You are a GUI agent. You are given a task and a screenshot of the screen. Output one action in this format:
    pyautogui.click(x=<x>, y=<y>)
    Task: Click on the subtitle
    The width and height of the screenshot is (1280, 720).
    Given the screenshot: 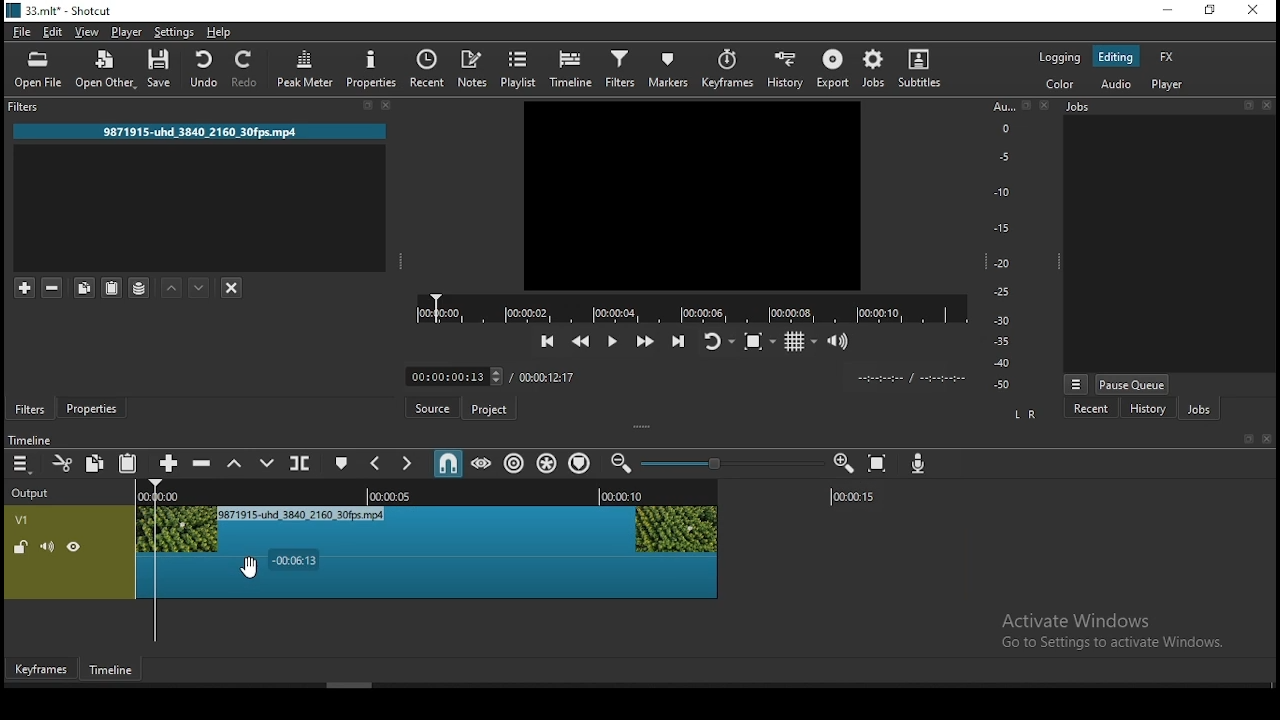 What is the action you would take?
    pyautogui.click(x=923, y=68)
    